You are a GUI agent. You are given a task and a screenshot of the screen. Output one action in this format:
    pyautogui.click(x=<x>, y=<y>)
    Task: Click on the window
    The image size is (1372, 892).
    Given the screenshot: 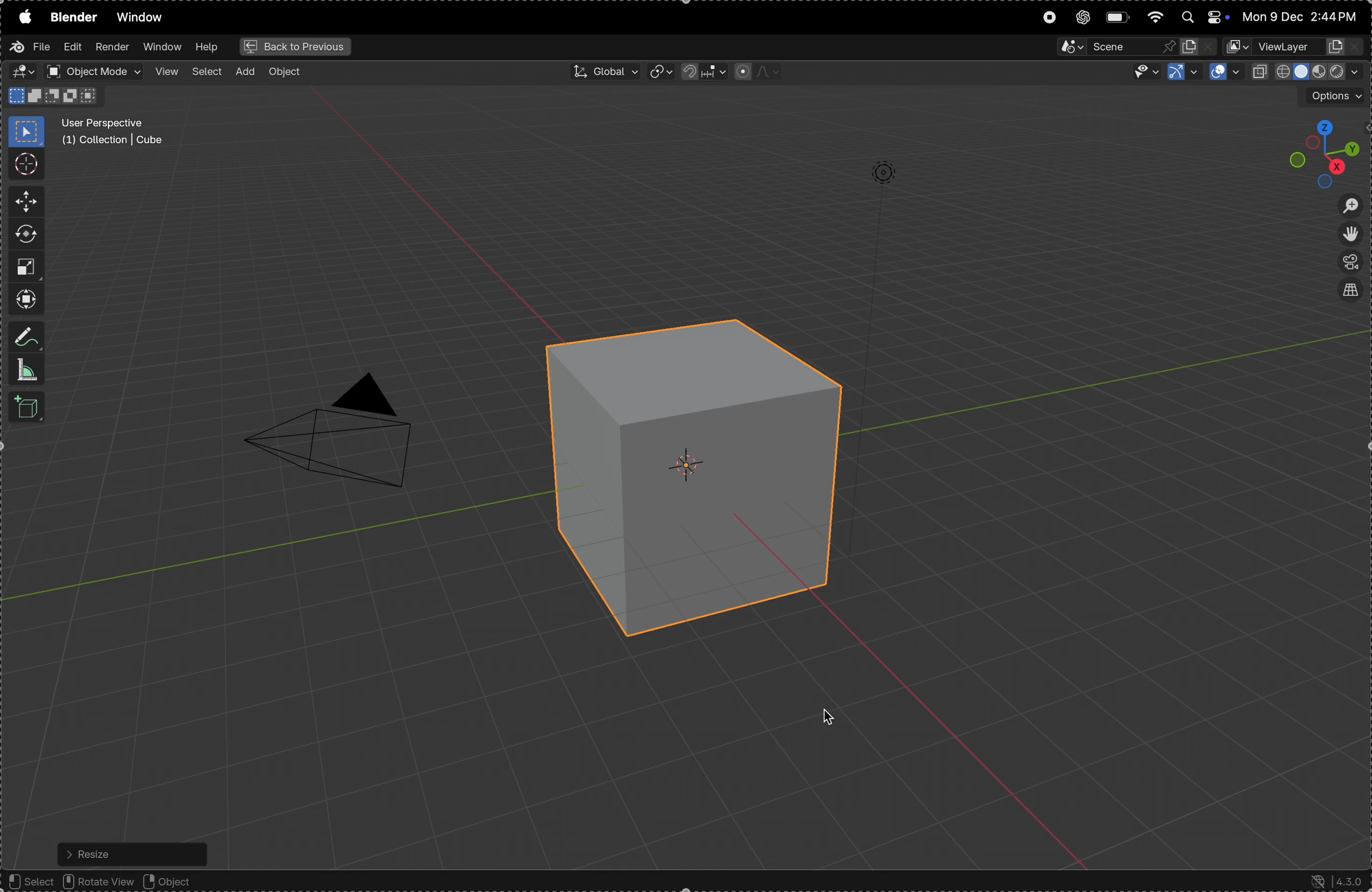 What is the action you would take?
    pyautogui.click(x=140, y=17)
    